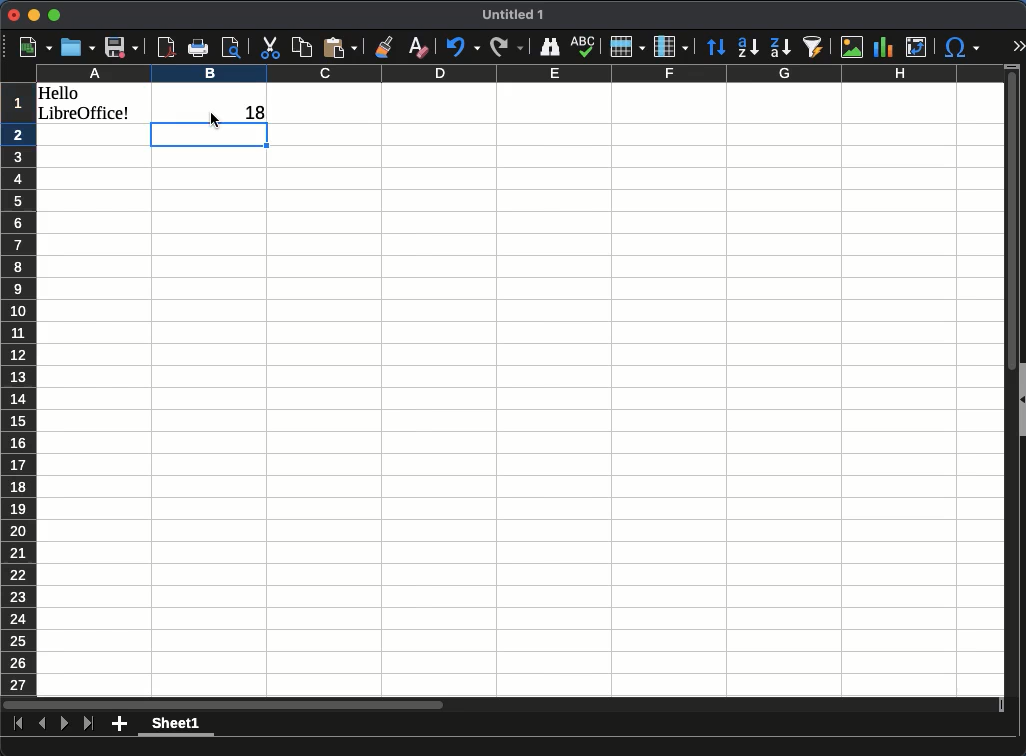 This screenshot has width=1026, height=756. I want to click on ascending, so click(748, 45).